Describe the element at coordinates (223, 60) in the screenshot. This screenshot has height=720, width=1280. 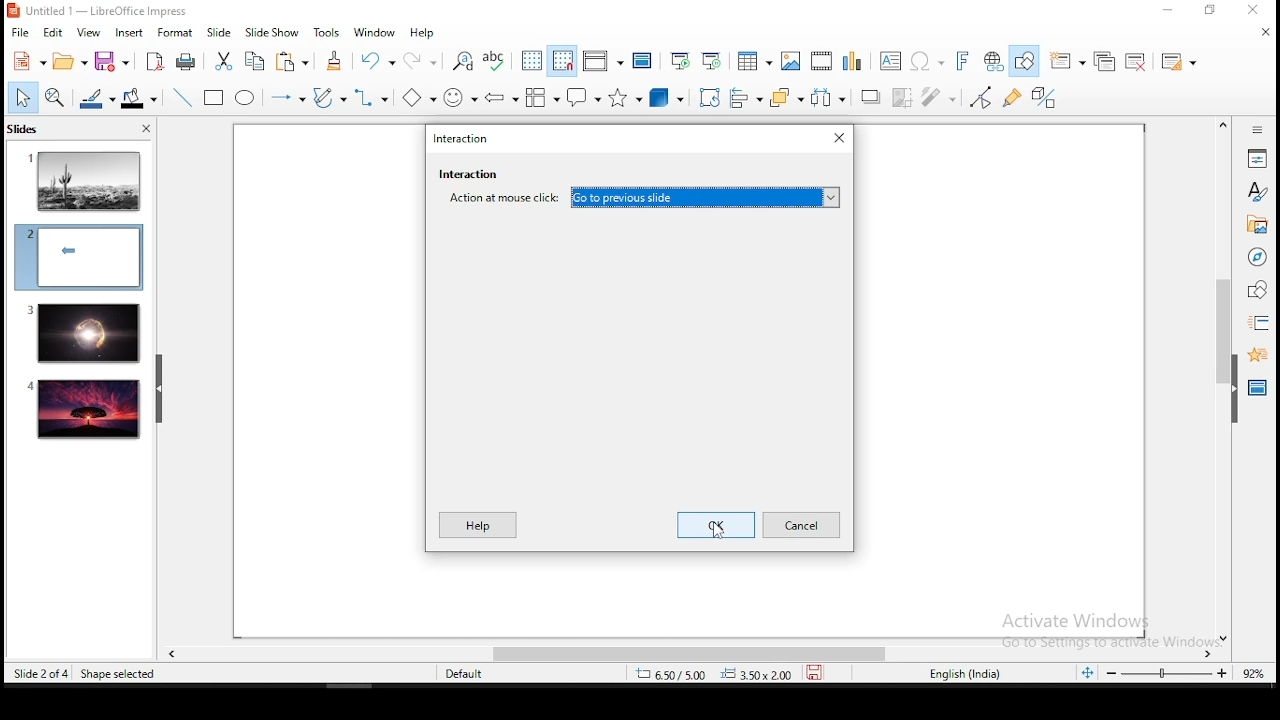
I see `cut` at that location.